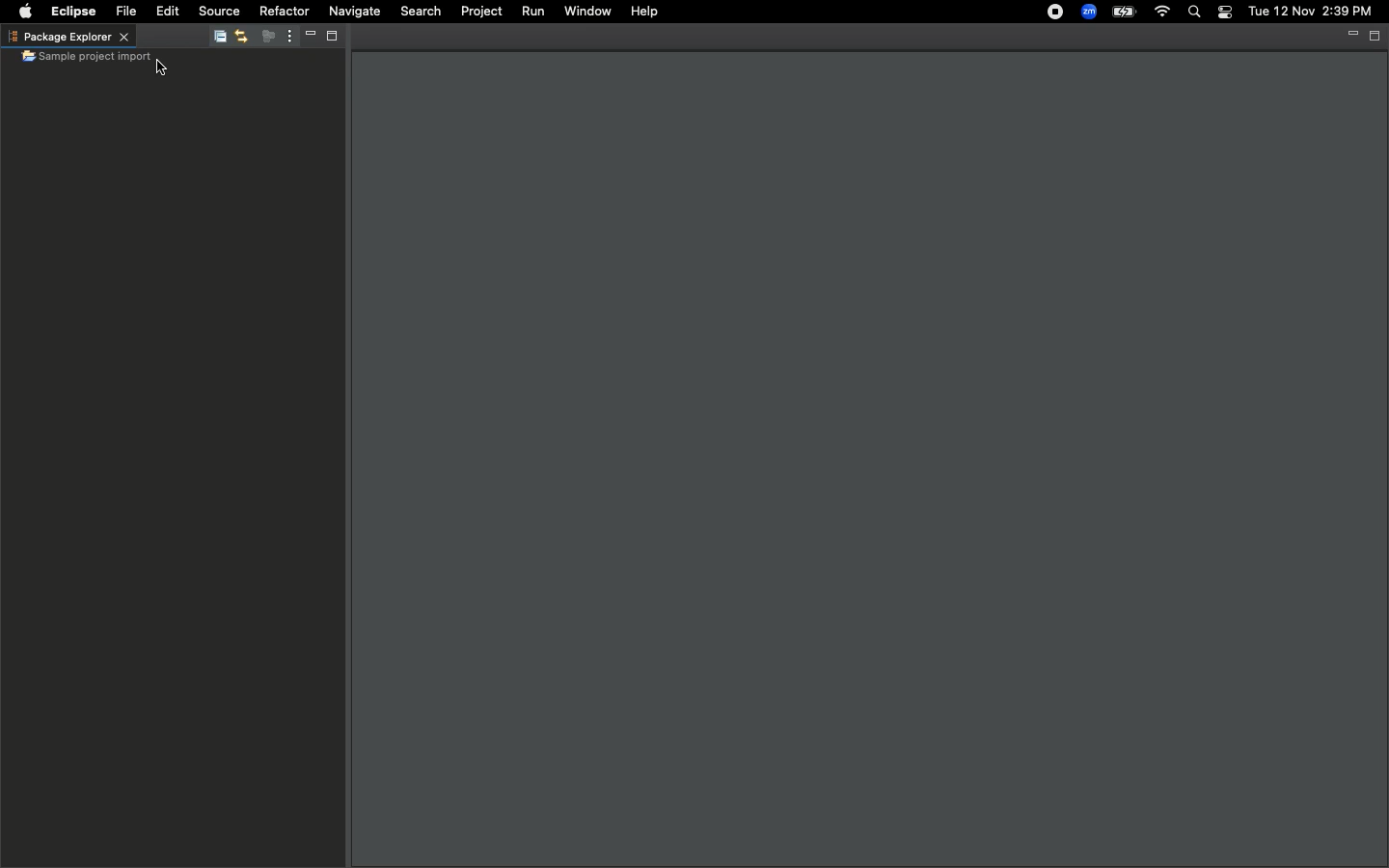 The height and width of the screenshot is (868, 1389). Describe the element at coordinates (1350, 35) in the screenshot. I see `Minimize` at that location.